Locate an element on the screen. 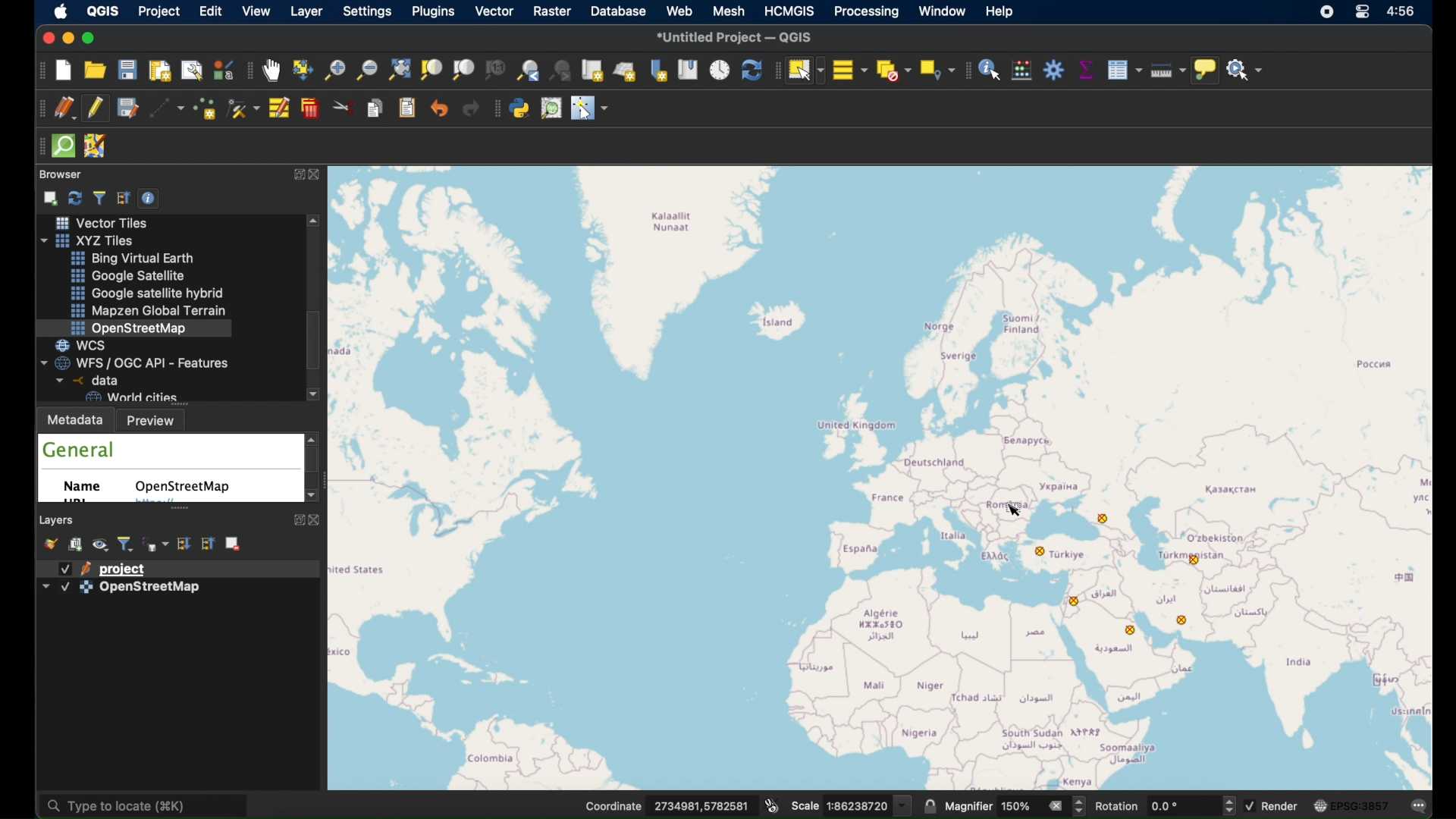 Image resolution: width=1456 pixels, height=819 pixels. quick osm is located at coordinates (63, 146).